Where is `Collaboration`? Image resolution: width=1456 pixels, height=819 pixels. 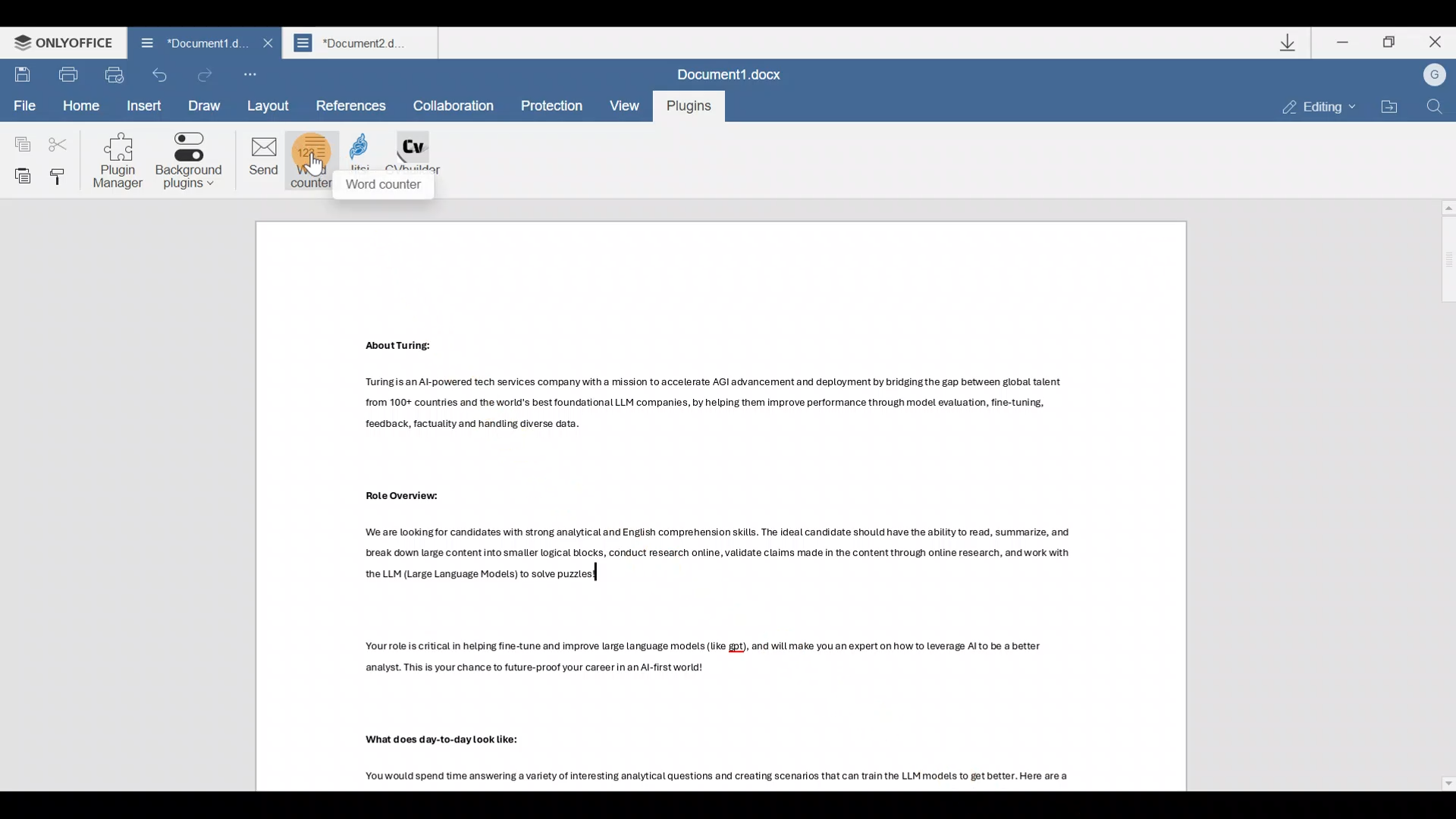
Collaboration is located at coordinates (459, 106).